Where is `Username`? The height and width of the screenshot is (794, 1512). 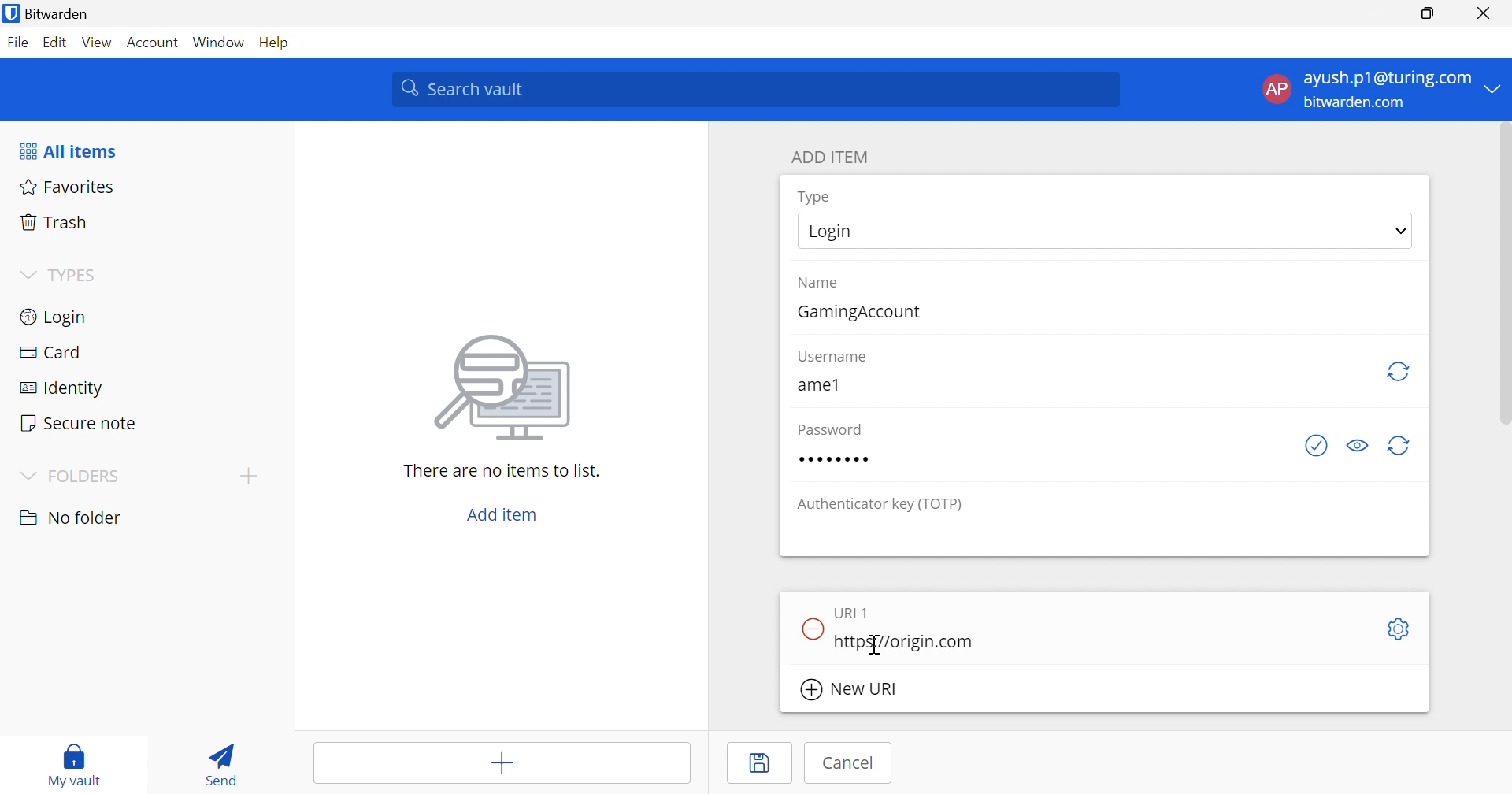 Username is located at coordinates (835, 358).